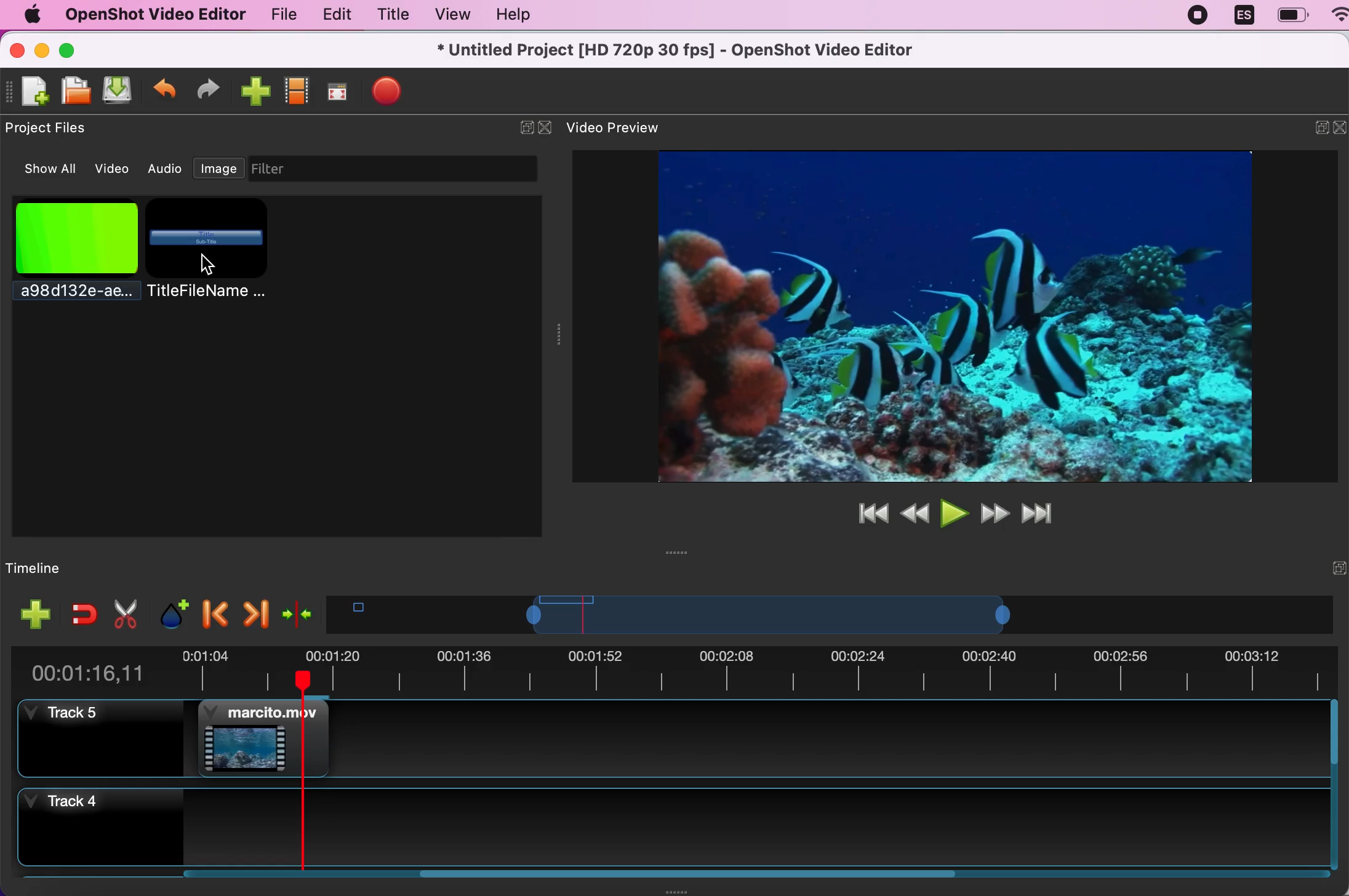 This screenshot has height=896, width=1349. I want to click on open file, so click(77, 91).